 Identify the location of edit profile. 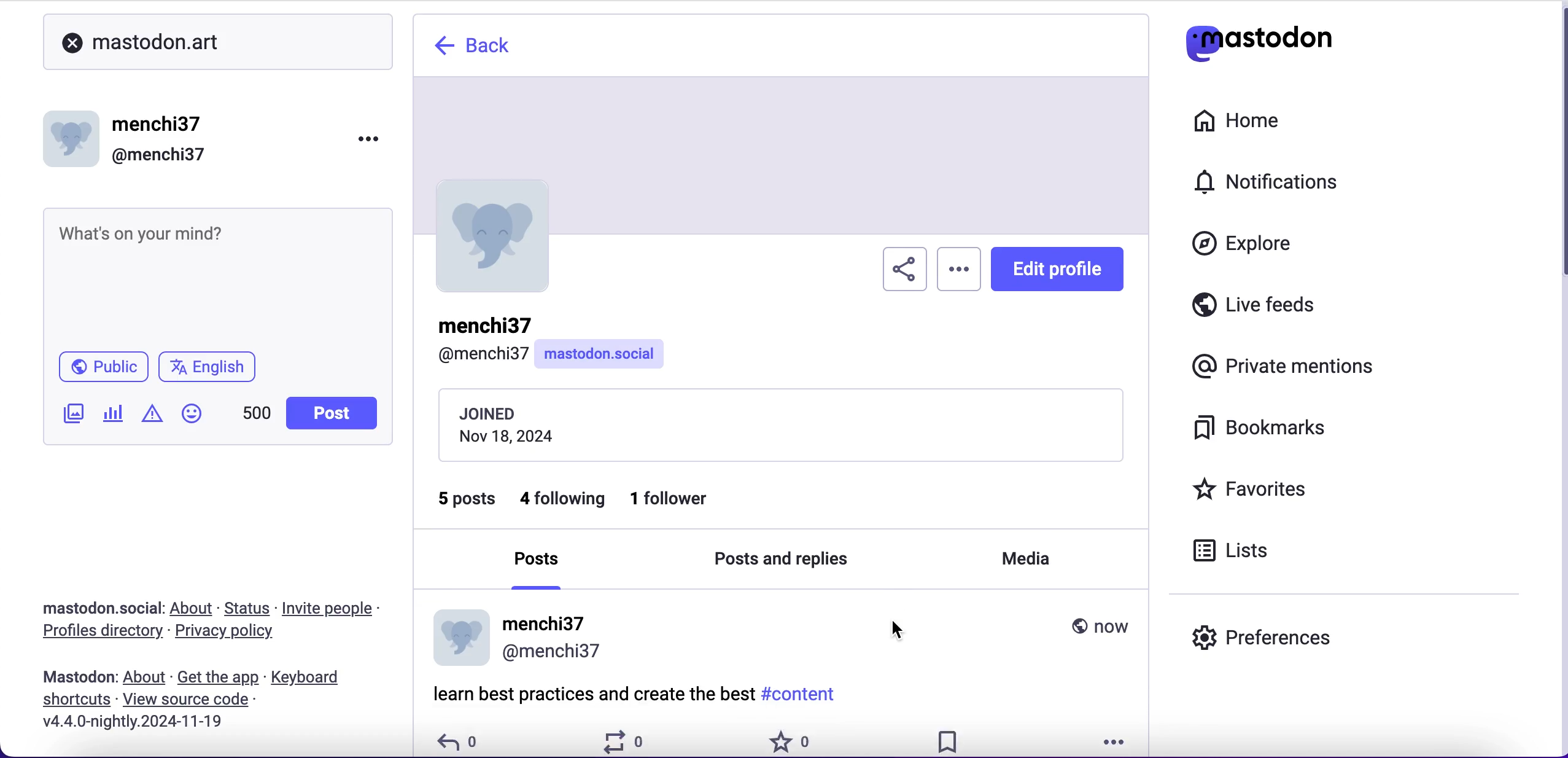
(1065, 276).